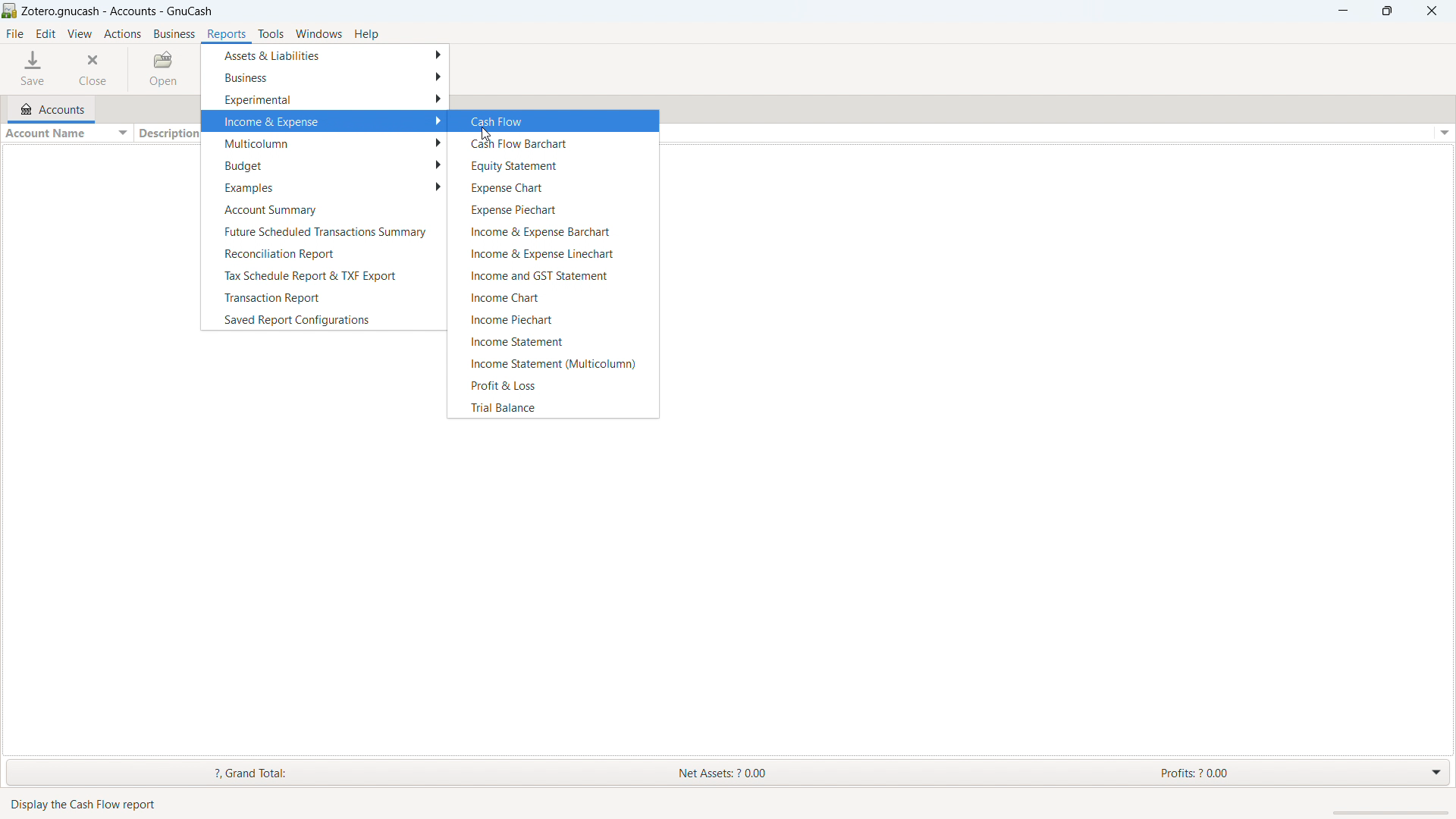 The image size is (1456, 819). I want to click on cursor, so click(485, 134).